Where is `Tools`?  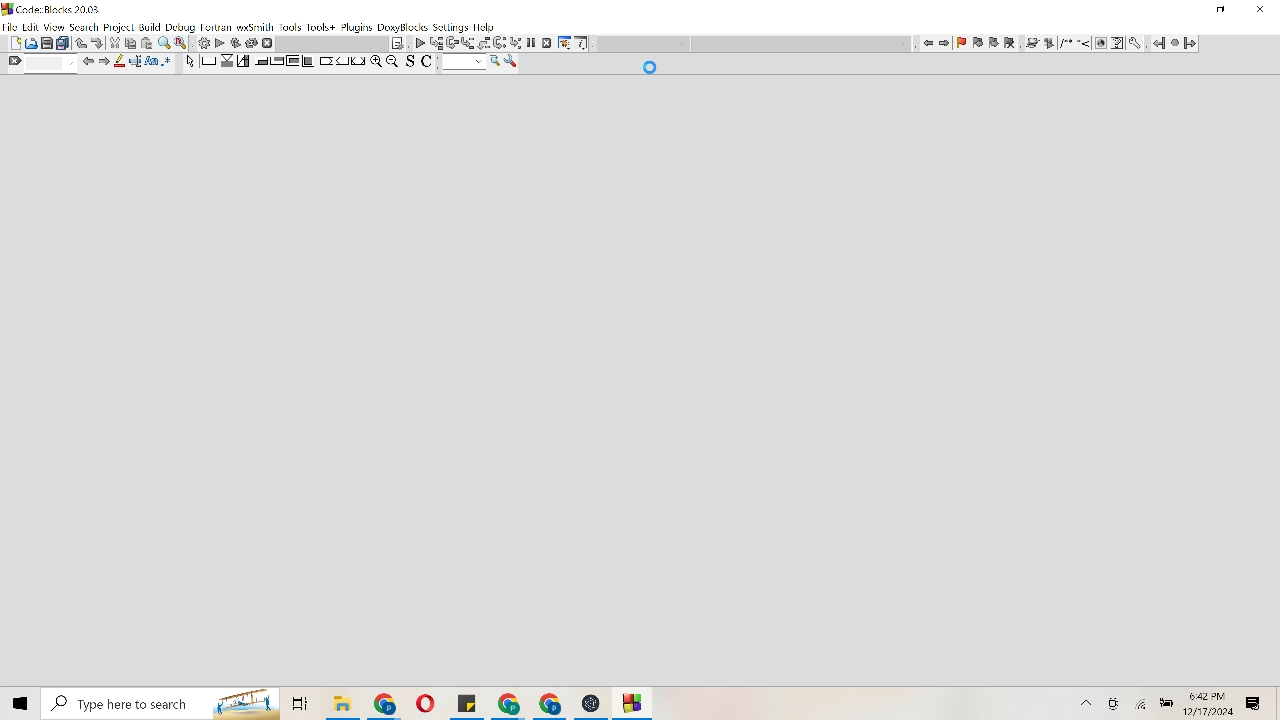
Tools is located at coordinates (291, 28).